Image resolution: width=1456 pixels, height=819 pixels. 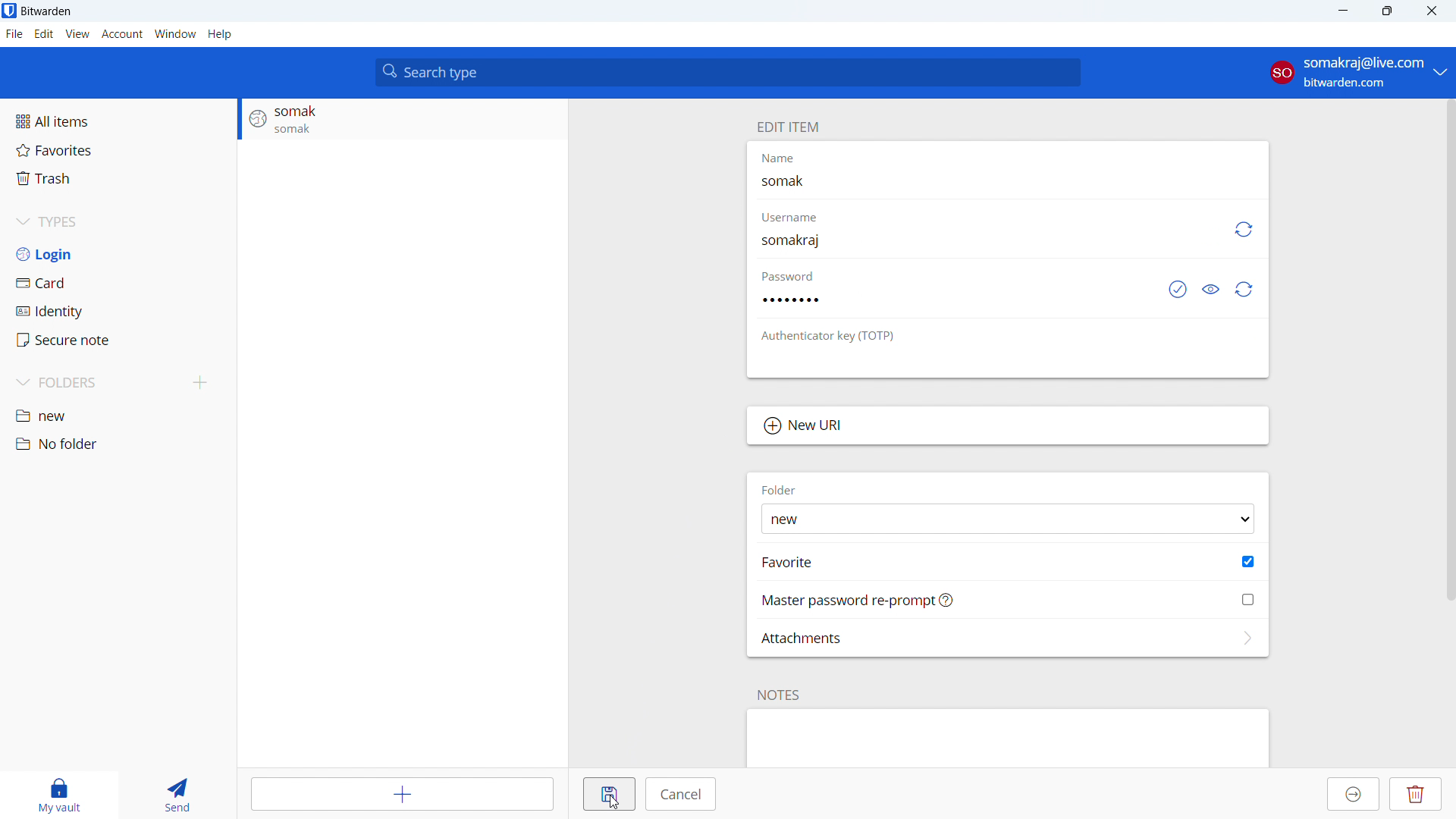 I want to click on master password ree-prompt, so click(x=1009, y=600).